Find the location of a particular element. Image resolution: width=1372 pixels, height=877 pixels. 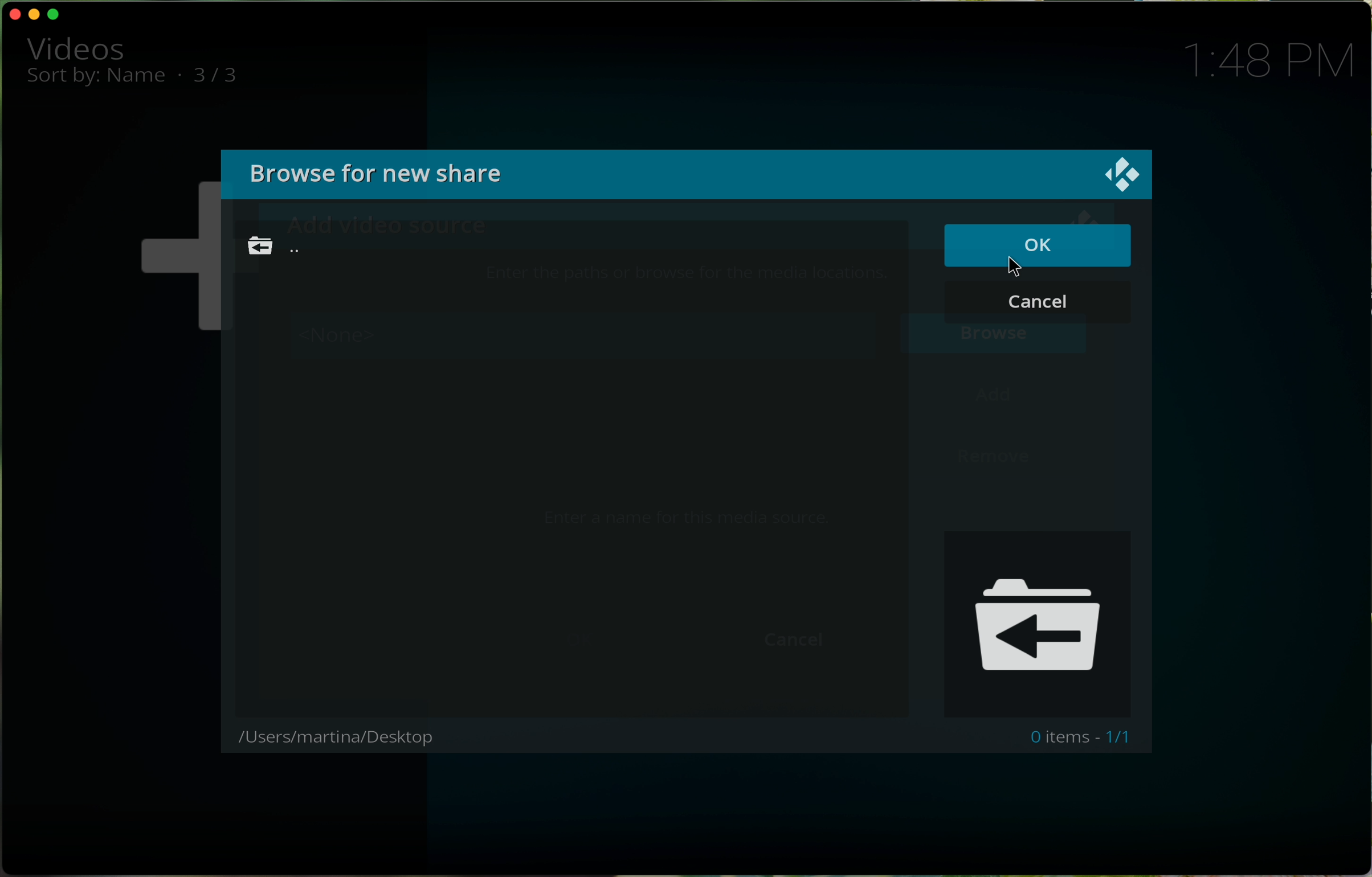

go back symbol is located at coordinates (1039, 621).